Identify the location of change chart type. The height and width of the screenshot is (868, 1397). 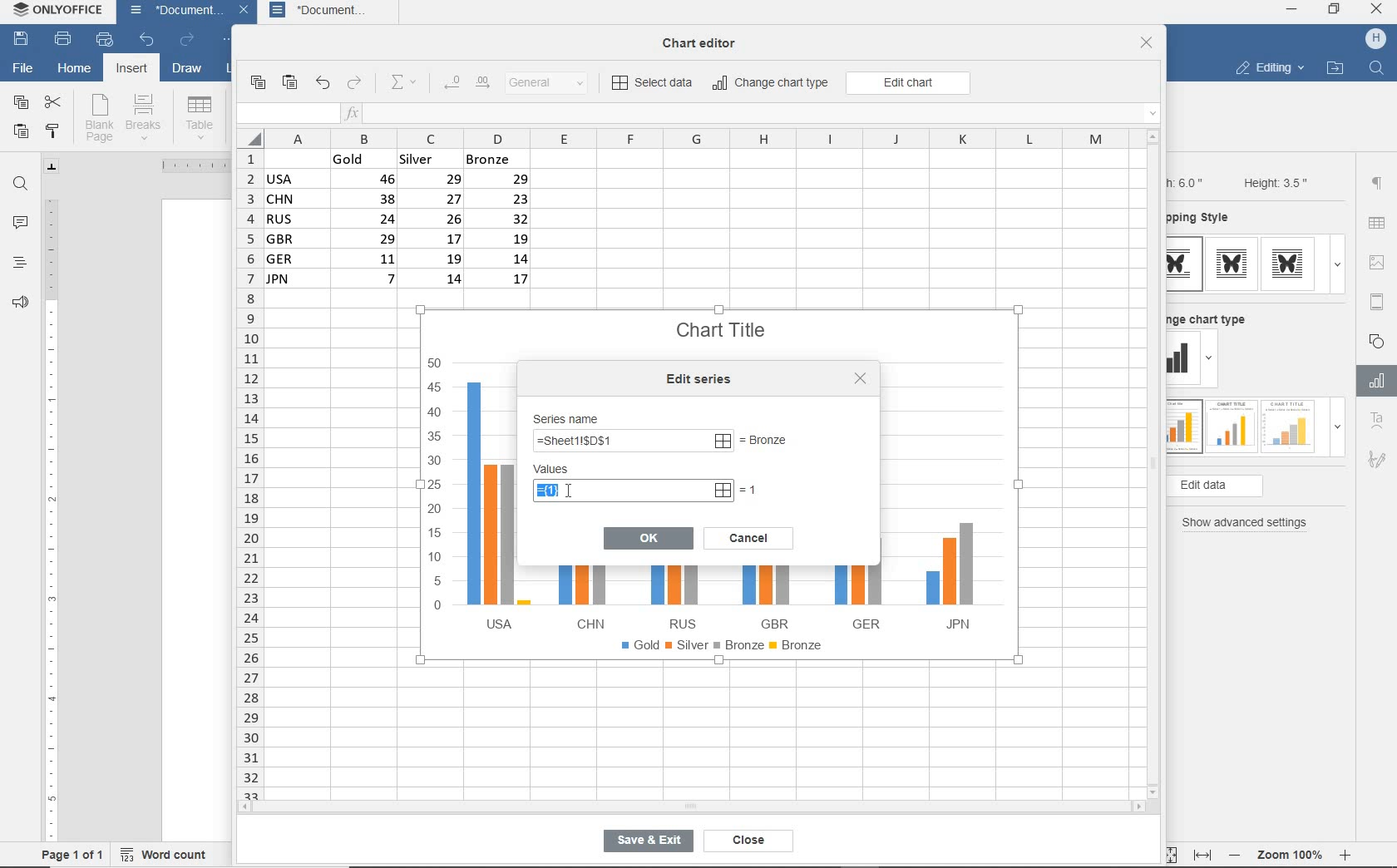
(772, 84).